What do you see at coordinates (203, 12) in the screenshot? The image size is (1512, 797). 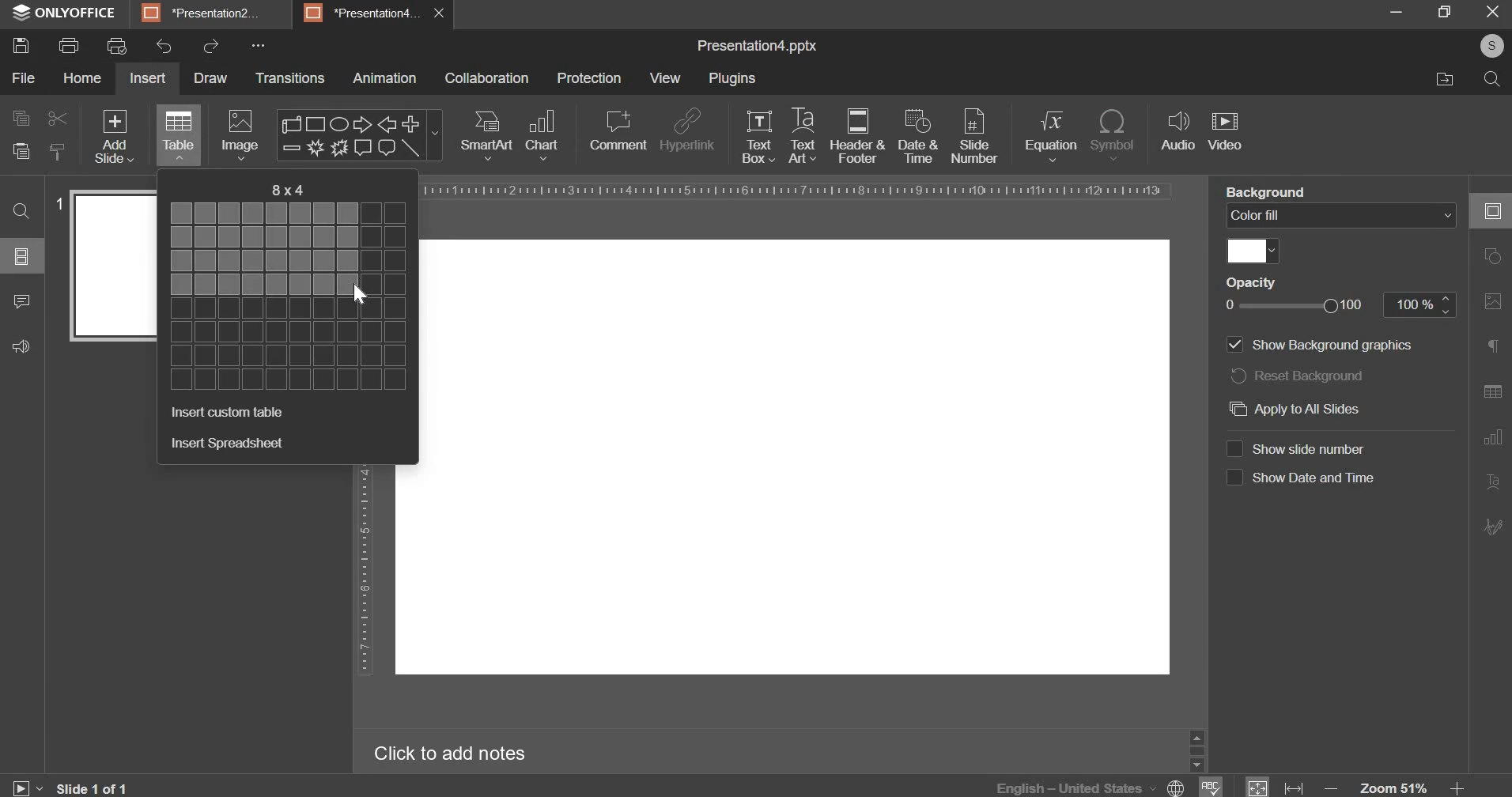 I see `presentation2` at bounding box center [203, 12].